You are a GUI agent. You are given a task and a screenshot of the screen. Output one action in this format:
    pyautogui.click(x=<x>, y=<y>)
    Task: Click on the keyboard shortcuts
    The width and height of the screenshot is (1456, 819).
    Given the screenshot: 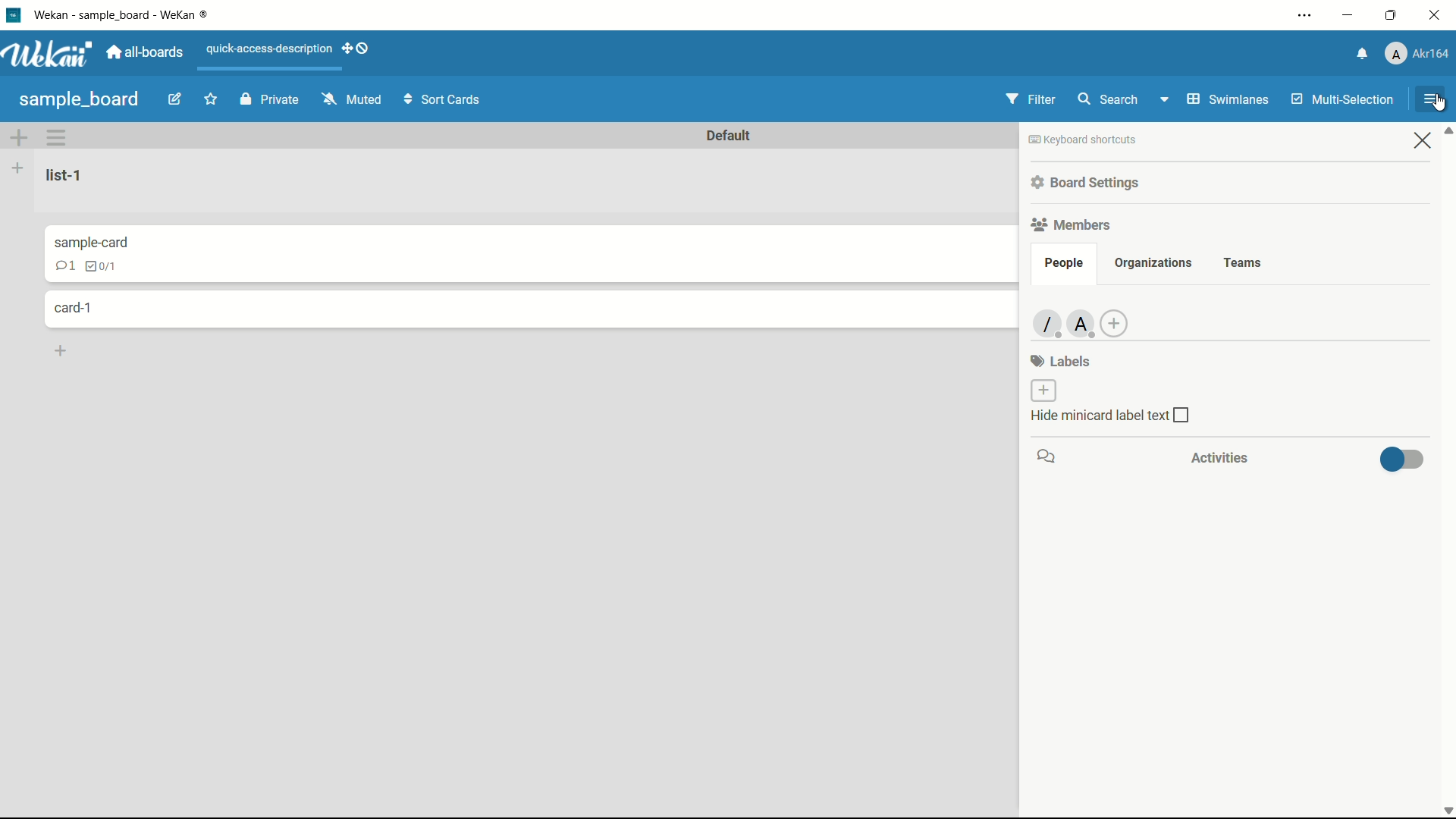 What is the action you would take?
    pyautogui.click(x=1079, y=139)
    